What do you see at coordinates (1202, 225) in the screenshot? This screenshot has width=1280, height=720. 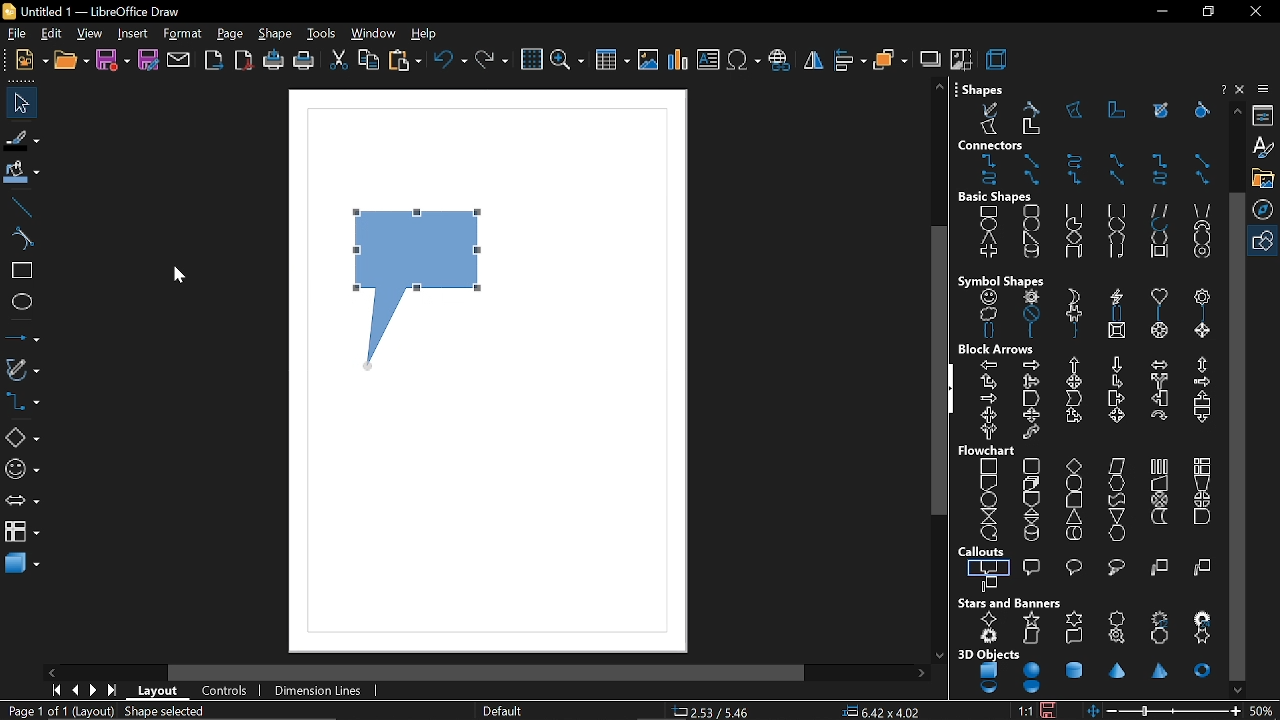 I see `block arc` at bounding box center [1202, 225].